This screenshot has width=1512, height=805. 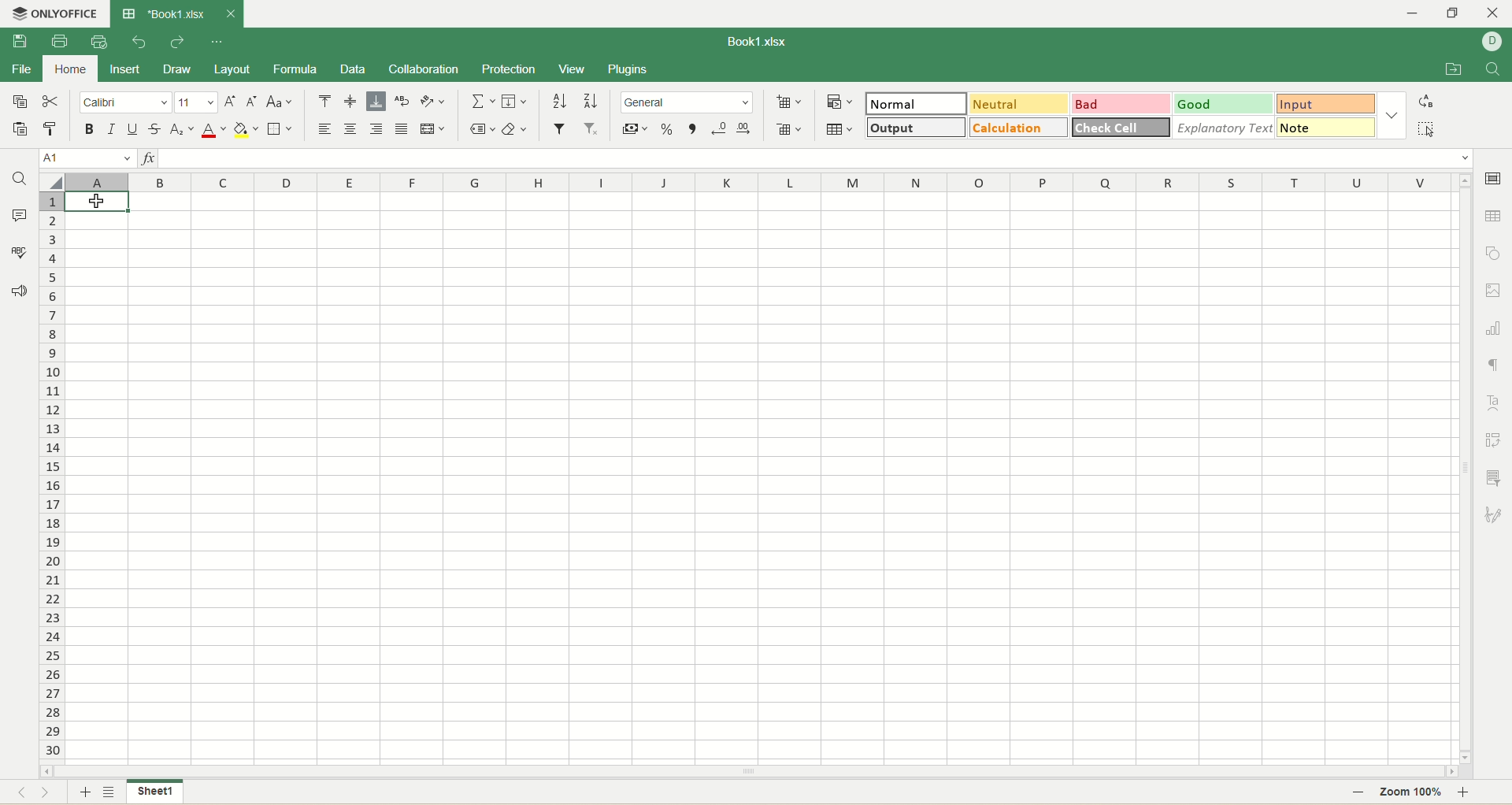 I want to click on comment, so click(x=21, y=217).